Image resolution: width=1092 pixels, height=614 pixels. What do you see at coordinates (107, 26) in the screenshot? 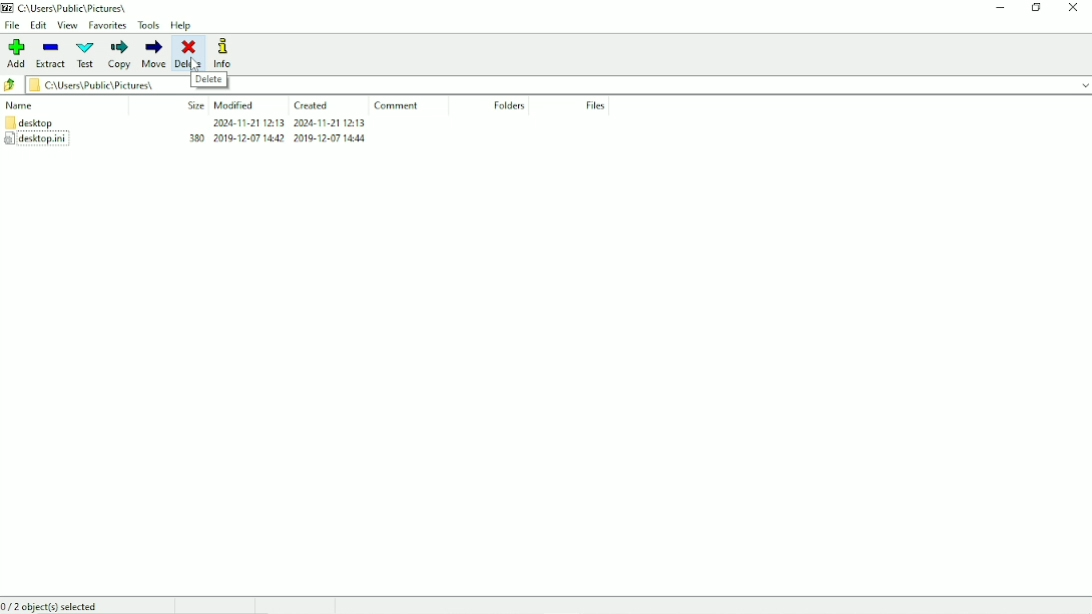
I see `Favorites` at bounding box center [107, 26].